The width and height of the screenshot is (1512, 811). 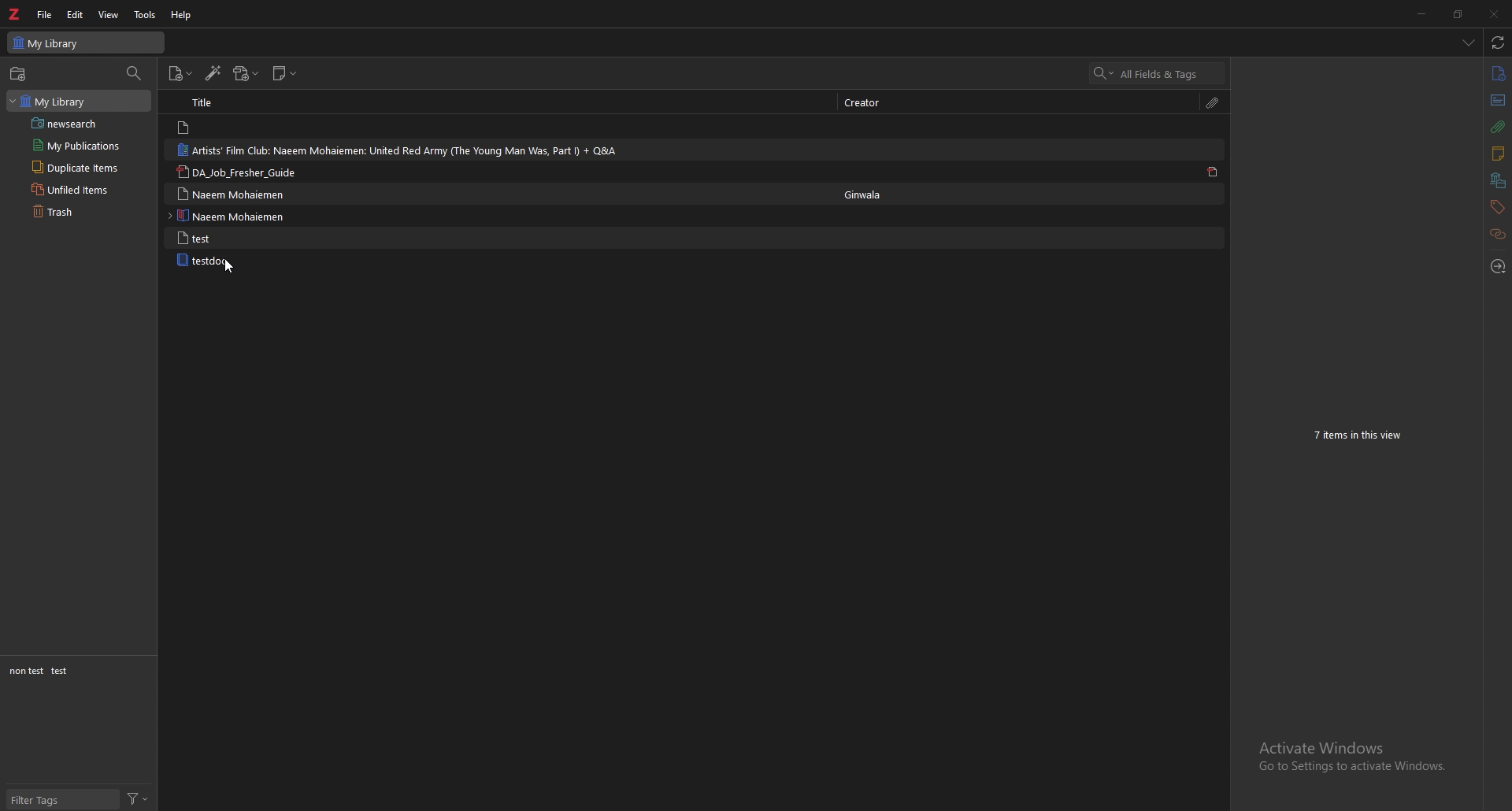 What do you see at coordinates (1497, 233) in the screenshot?
I see `related` at bounding box center [1497, 233].